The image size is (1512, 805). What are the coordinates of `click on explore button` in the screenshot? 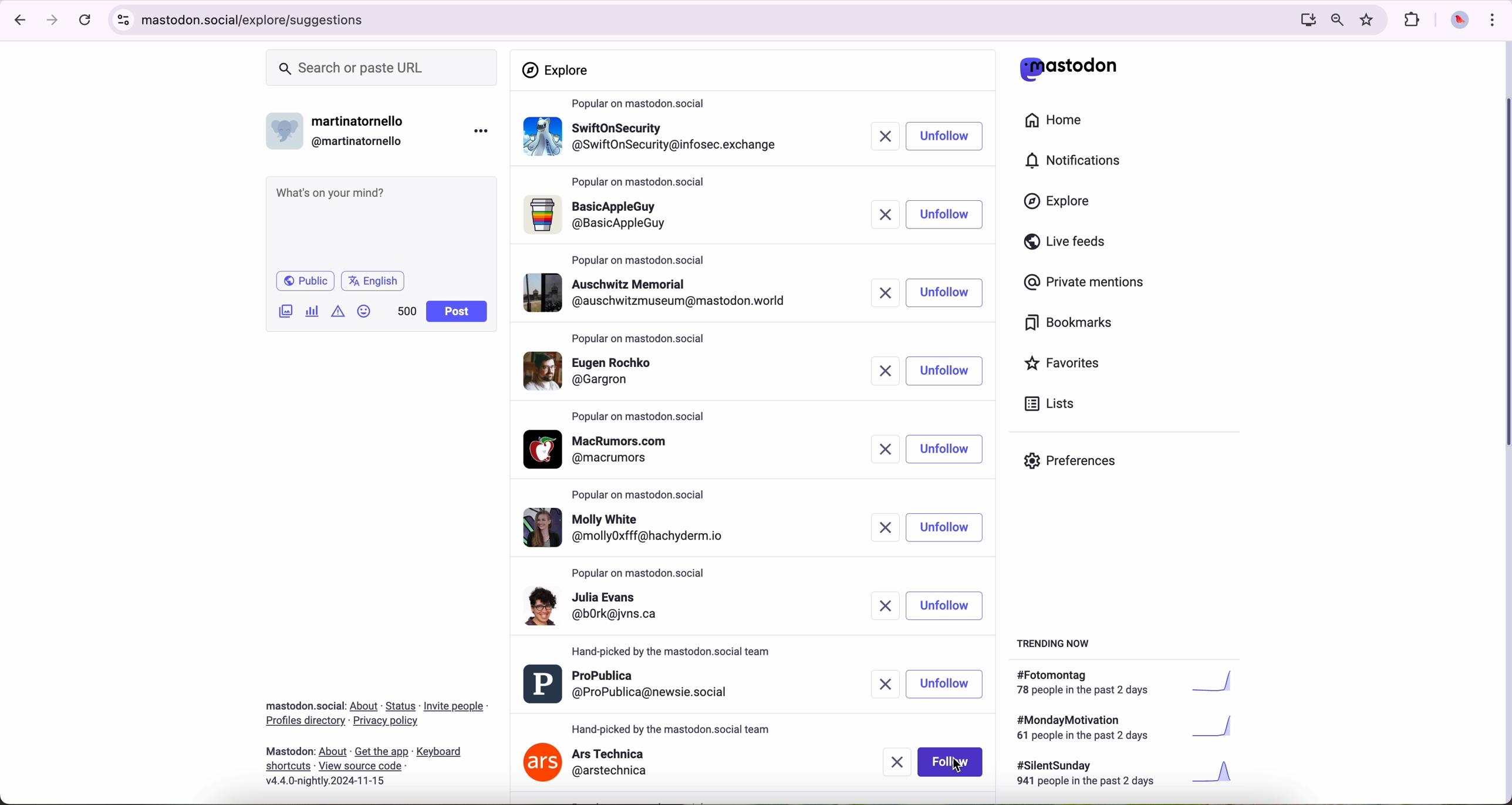 It's located at (1060, 207).